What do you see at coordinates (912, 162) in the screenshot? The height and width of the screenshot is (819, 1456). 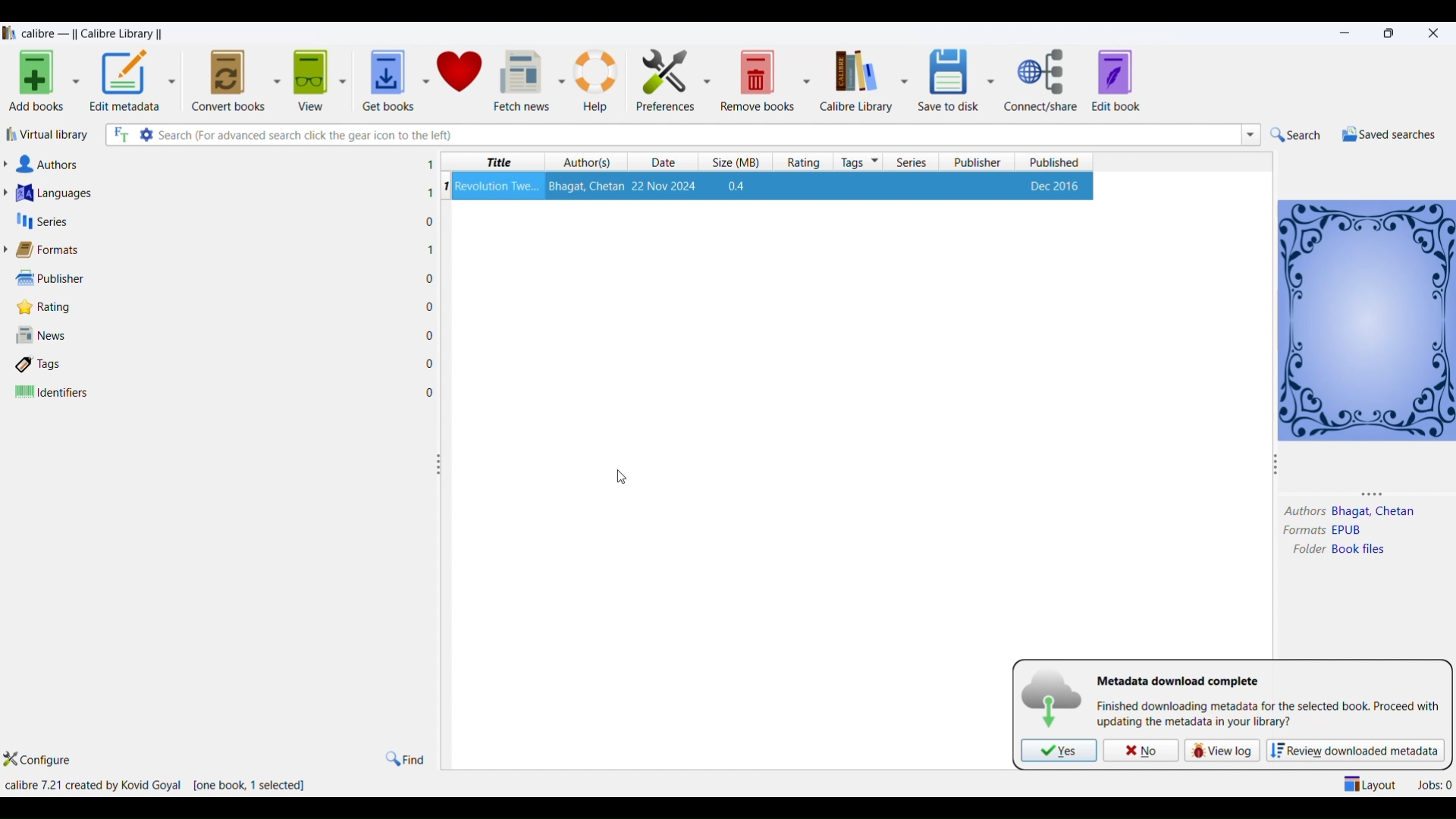 I see `series` at bounding box center [912, 162].